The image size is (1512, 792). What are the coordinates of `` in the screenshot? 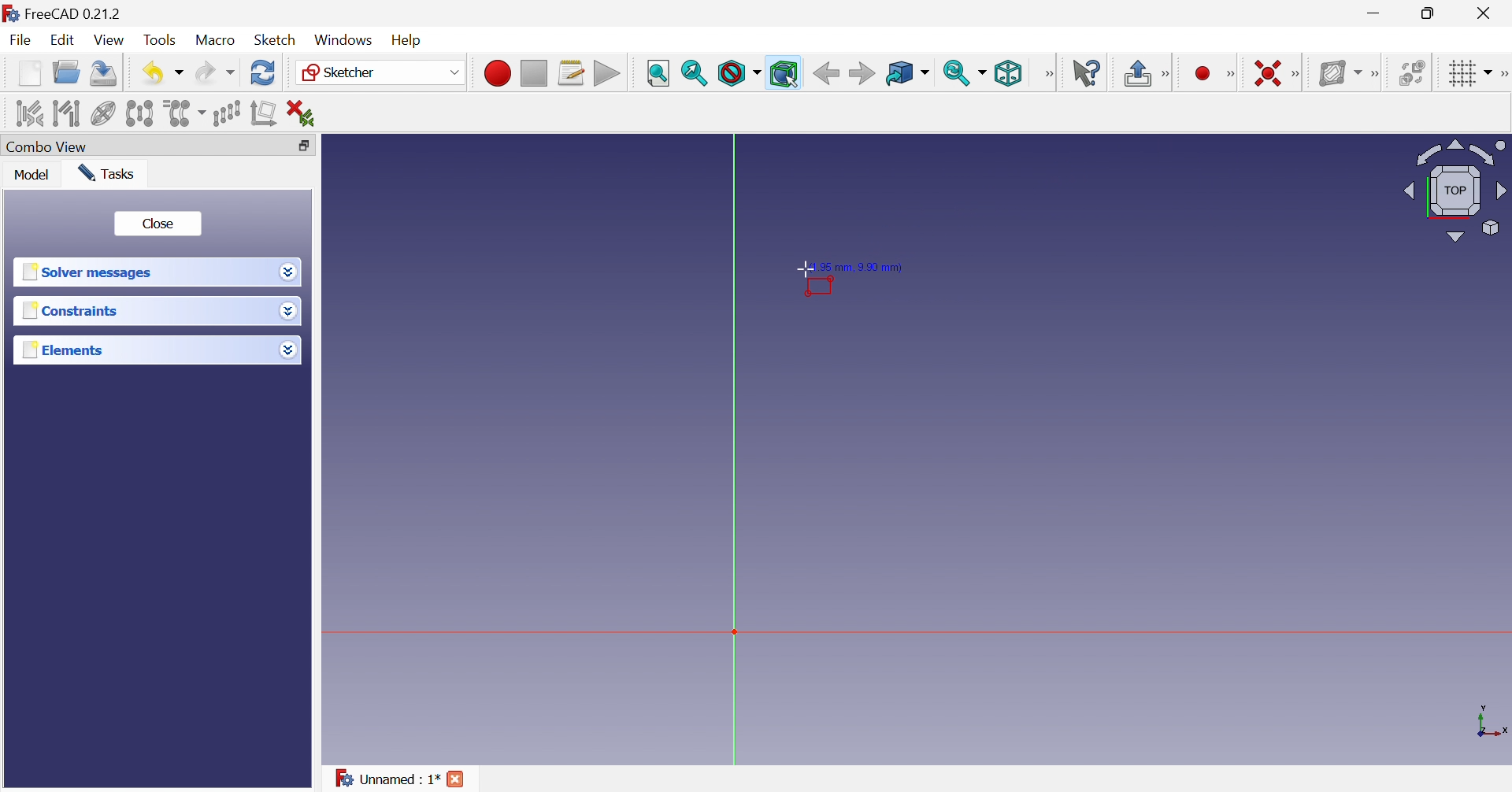 It's located at (406, 41).